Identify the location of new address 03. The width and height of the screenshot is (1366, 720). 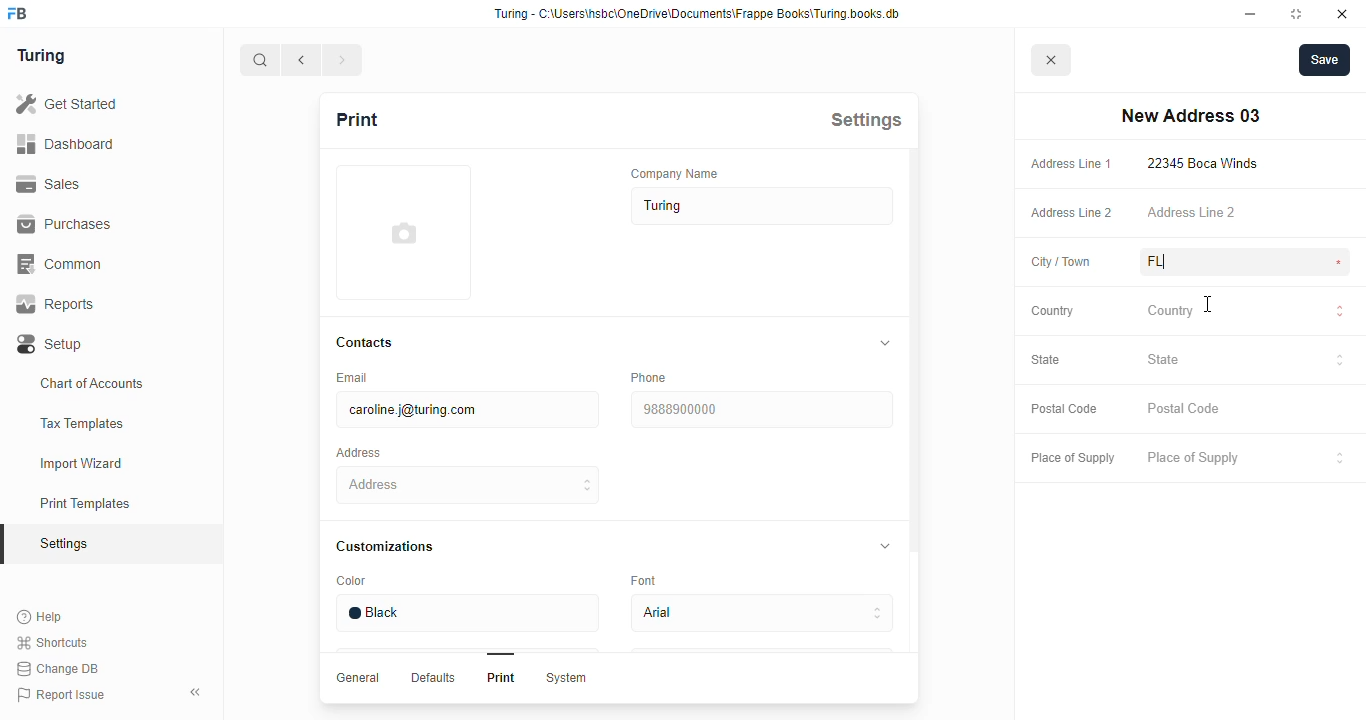
(1190, 116).